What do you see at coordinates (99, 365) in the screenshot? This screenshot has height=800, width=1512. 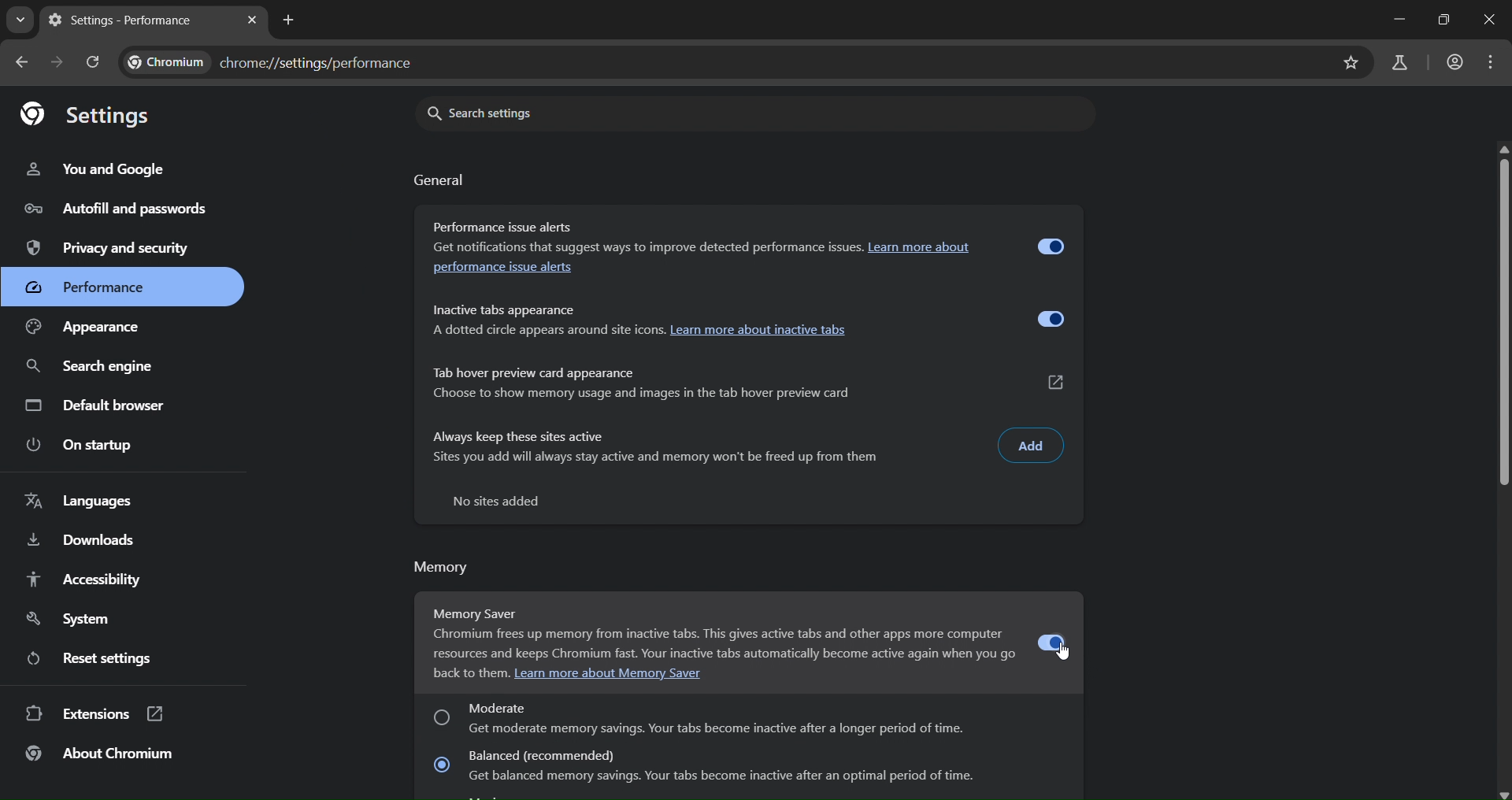 I see `search engine` at bounding box center [99, 365].